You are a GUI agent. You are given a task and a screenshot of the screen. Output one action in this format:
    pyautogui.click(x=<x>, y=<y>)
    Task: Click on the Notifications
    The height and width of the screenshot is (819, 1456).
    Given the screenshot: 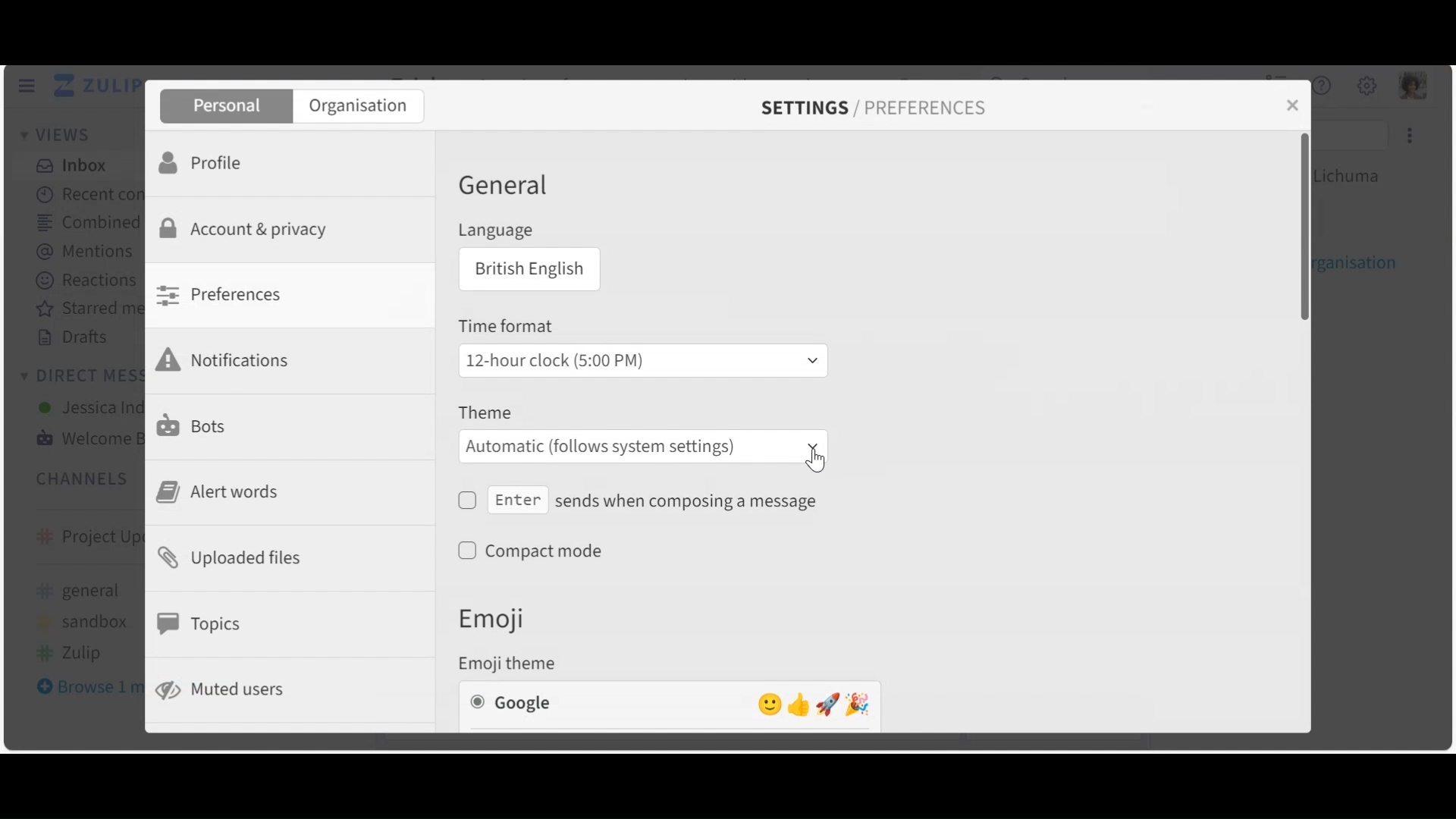 What is the action you would take?
    pyautogui.click(x=228, y=359)
    